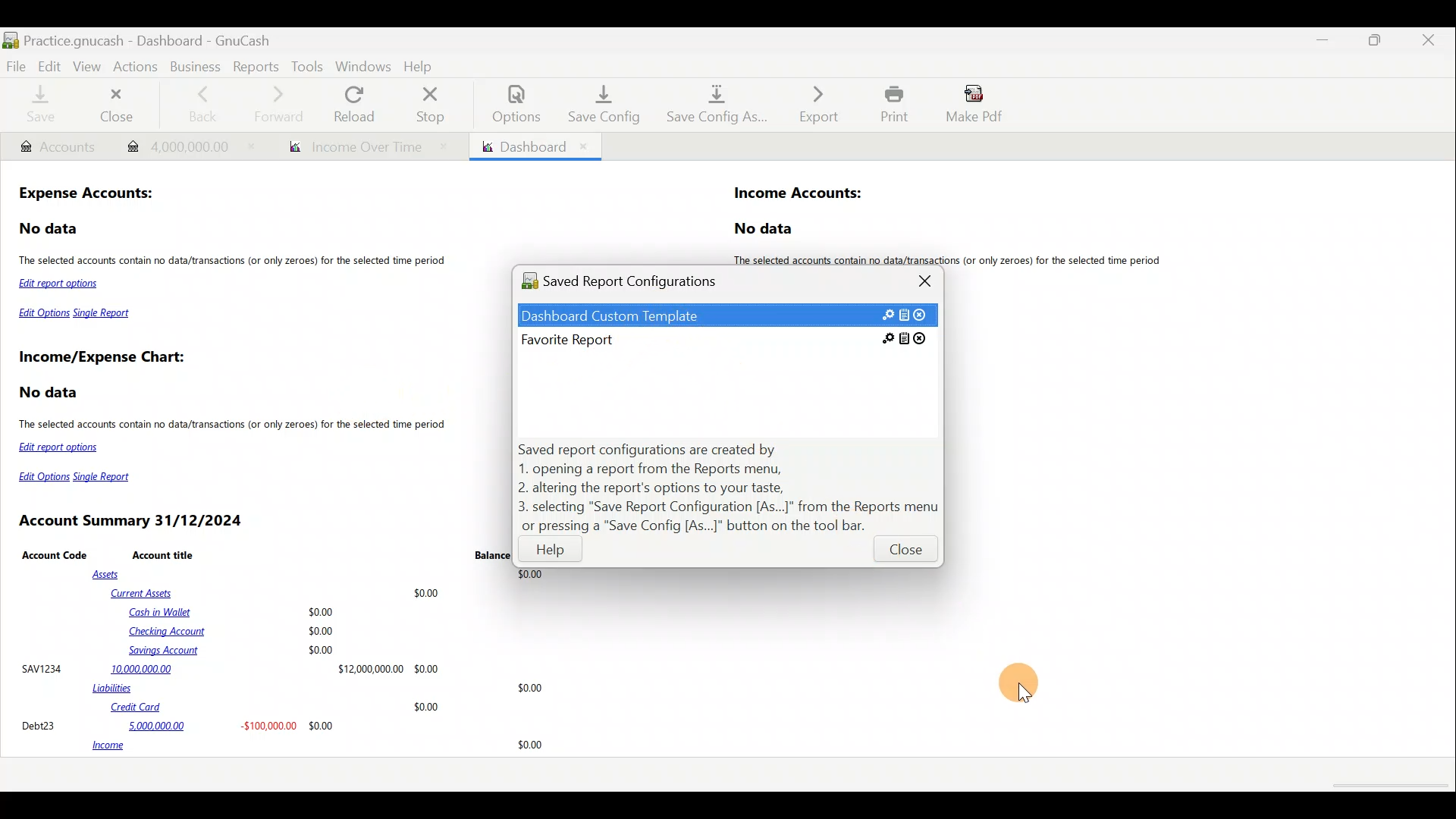  What do you see at coordinates (120, 105) in the screenshot?
I see `Close` at bounding box center [120, 105].